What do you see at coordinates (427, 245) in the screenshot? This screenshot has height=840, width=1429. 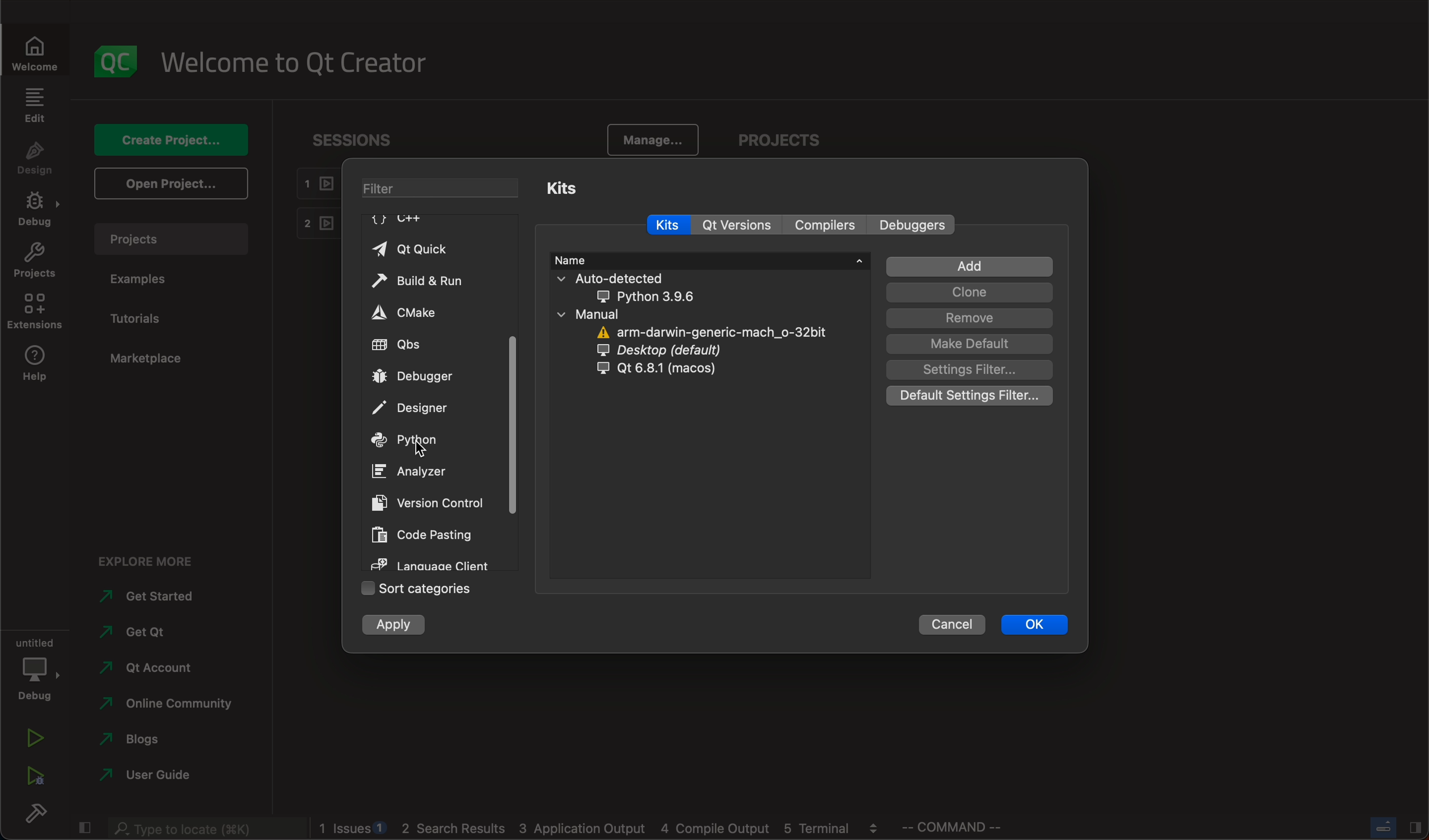 I see `qt quick` at bounding box center [427, 245].